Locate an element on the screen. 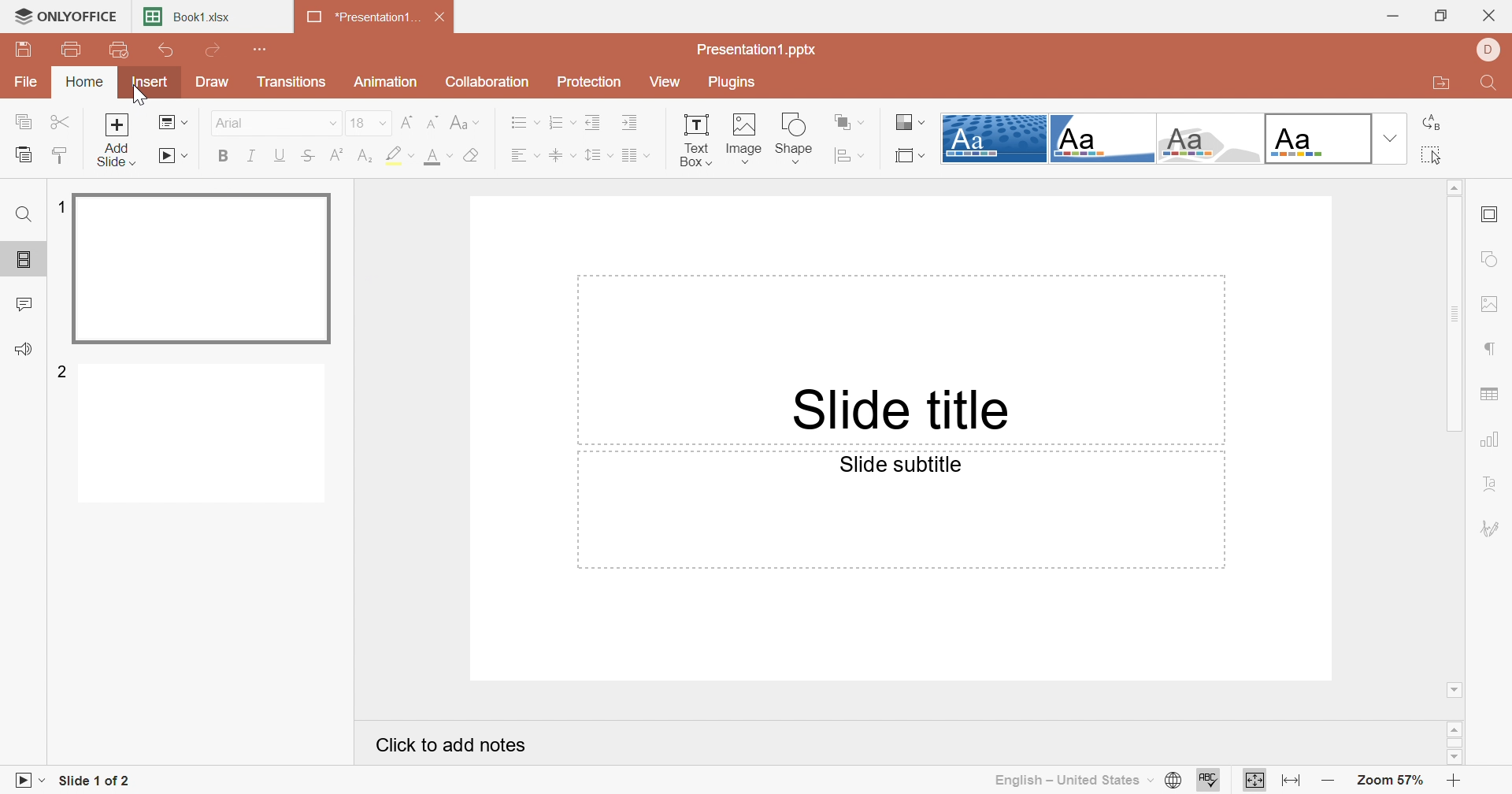 The height and width of the screenshot is (794, 1512). Copy Style is located at coordinates (61, 155).